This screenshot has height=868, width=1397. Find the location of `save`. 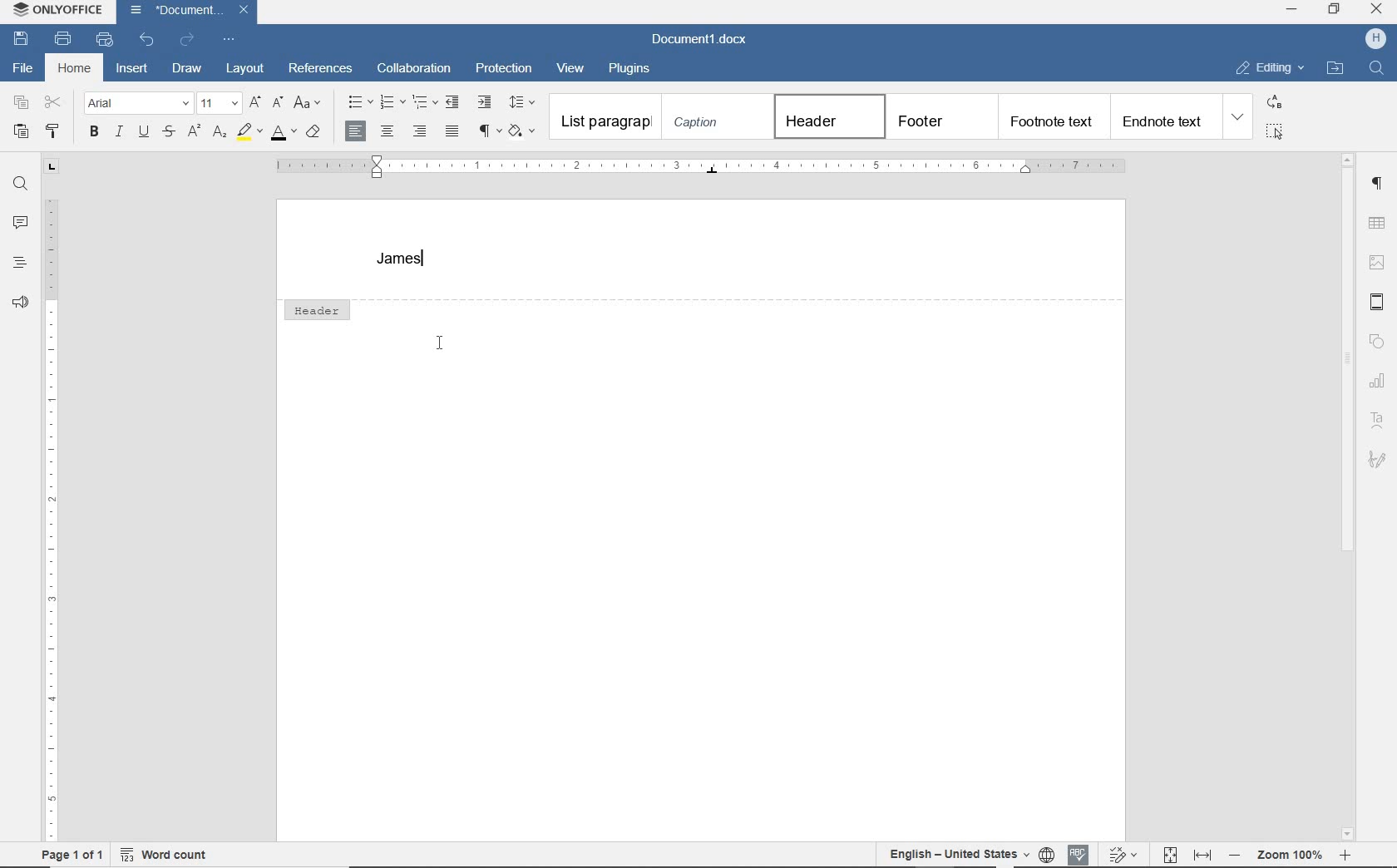

save is located at coordinates (22, 38).